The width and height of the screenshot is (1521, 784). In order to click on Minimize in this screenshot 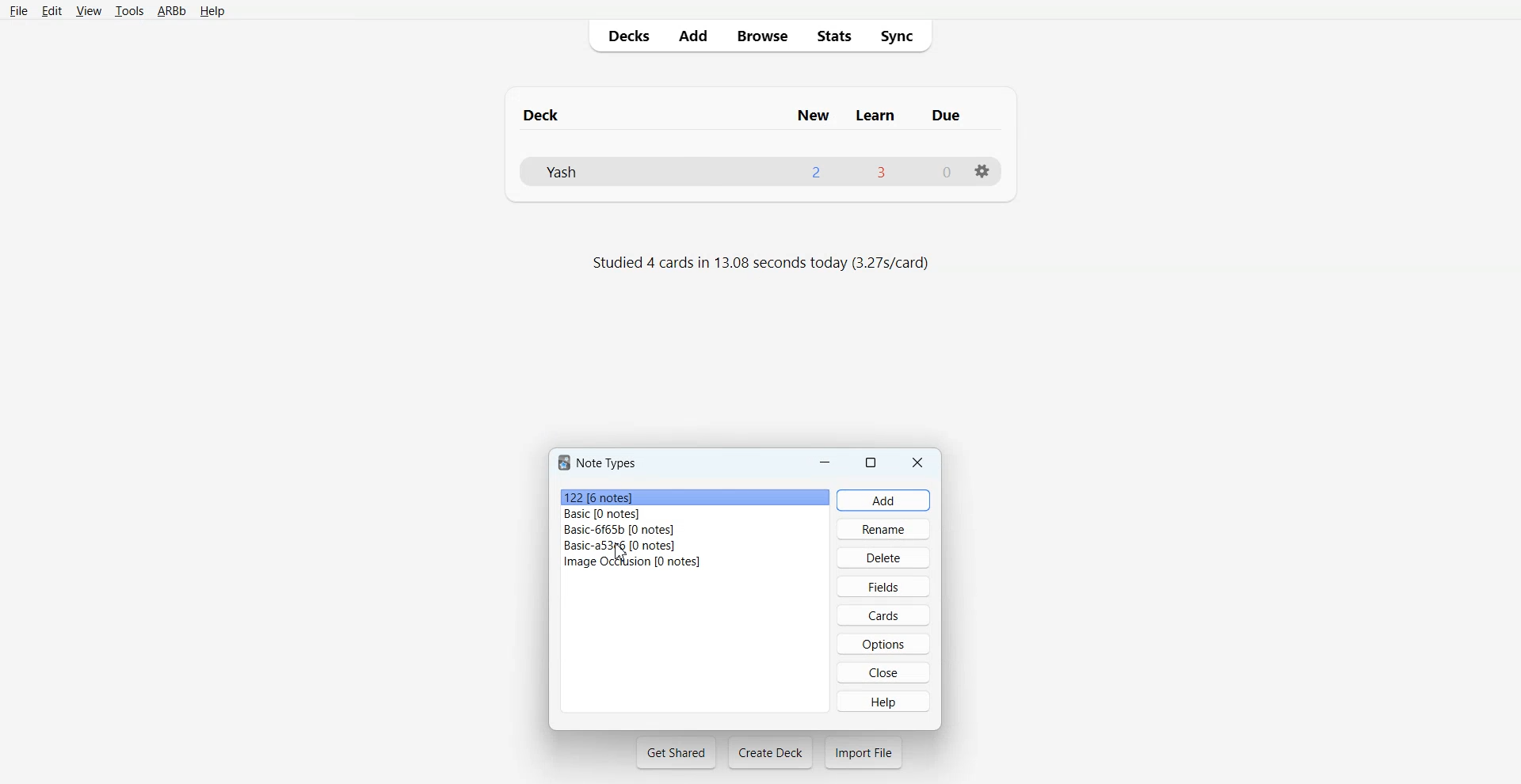, I will do `click(825, 462)`.